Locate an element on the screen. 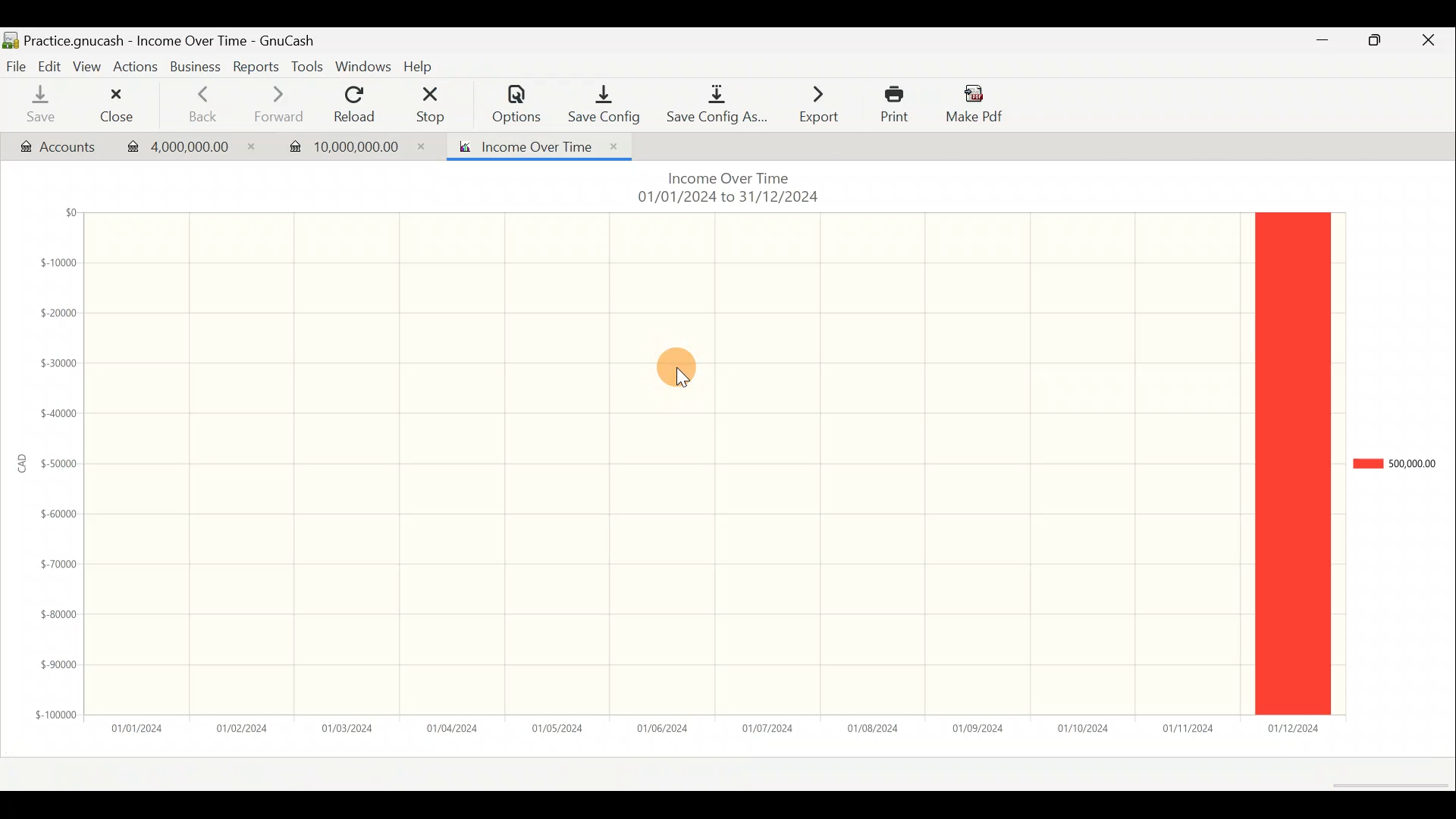 Image resolution: width=1456 pixels, height=819 pixels. 10,000,000.00 is located at coordinates (359, 146).